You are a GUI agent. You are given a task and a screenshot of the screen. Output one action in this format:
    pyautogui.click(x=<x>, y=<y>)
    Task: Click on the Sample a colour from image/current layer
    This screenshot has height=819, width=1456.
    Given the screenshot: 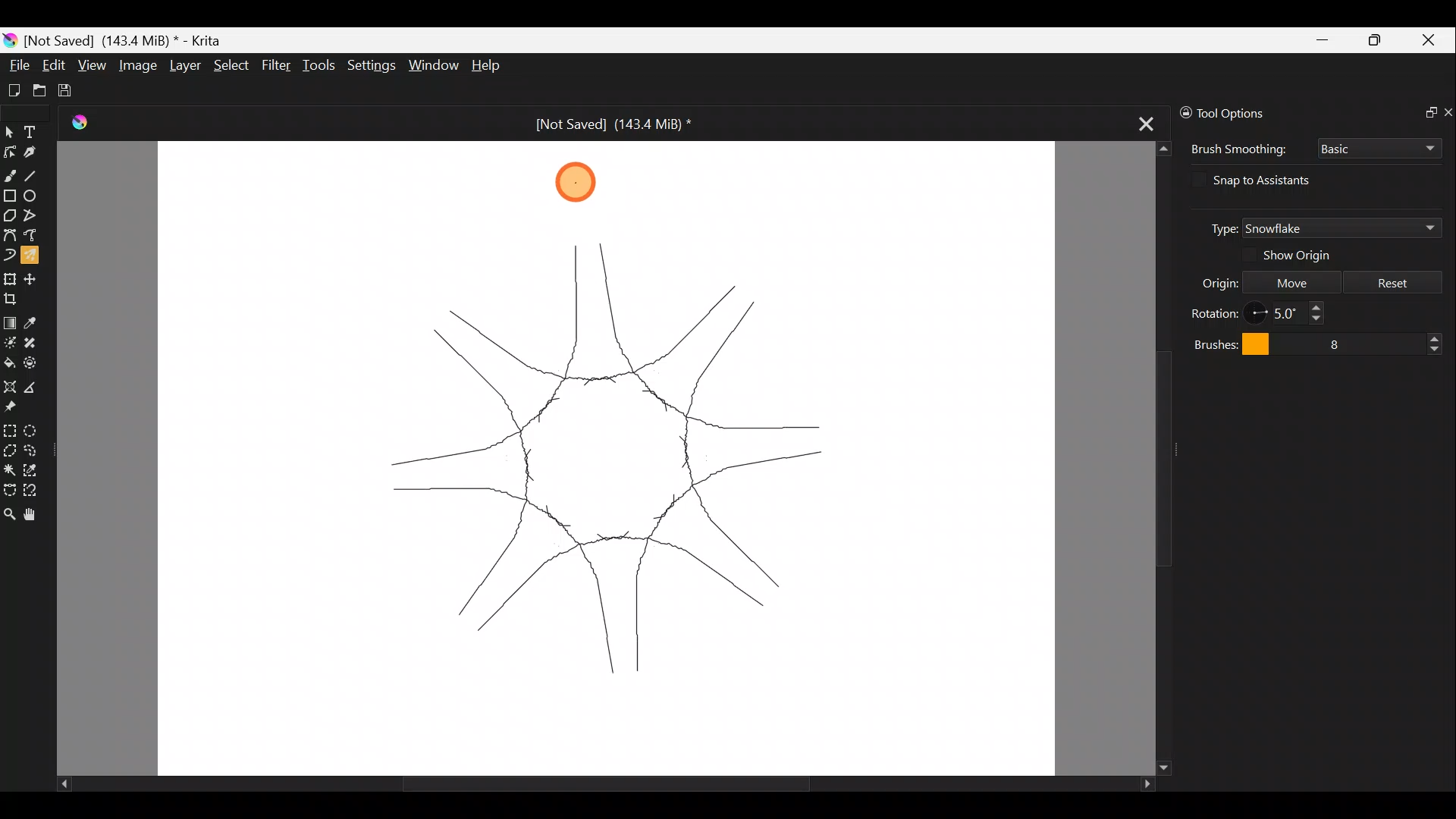 What is the action you would take?
    pyautogui.click(x=36, y=322)
    